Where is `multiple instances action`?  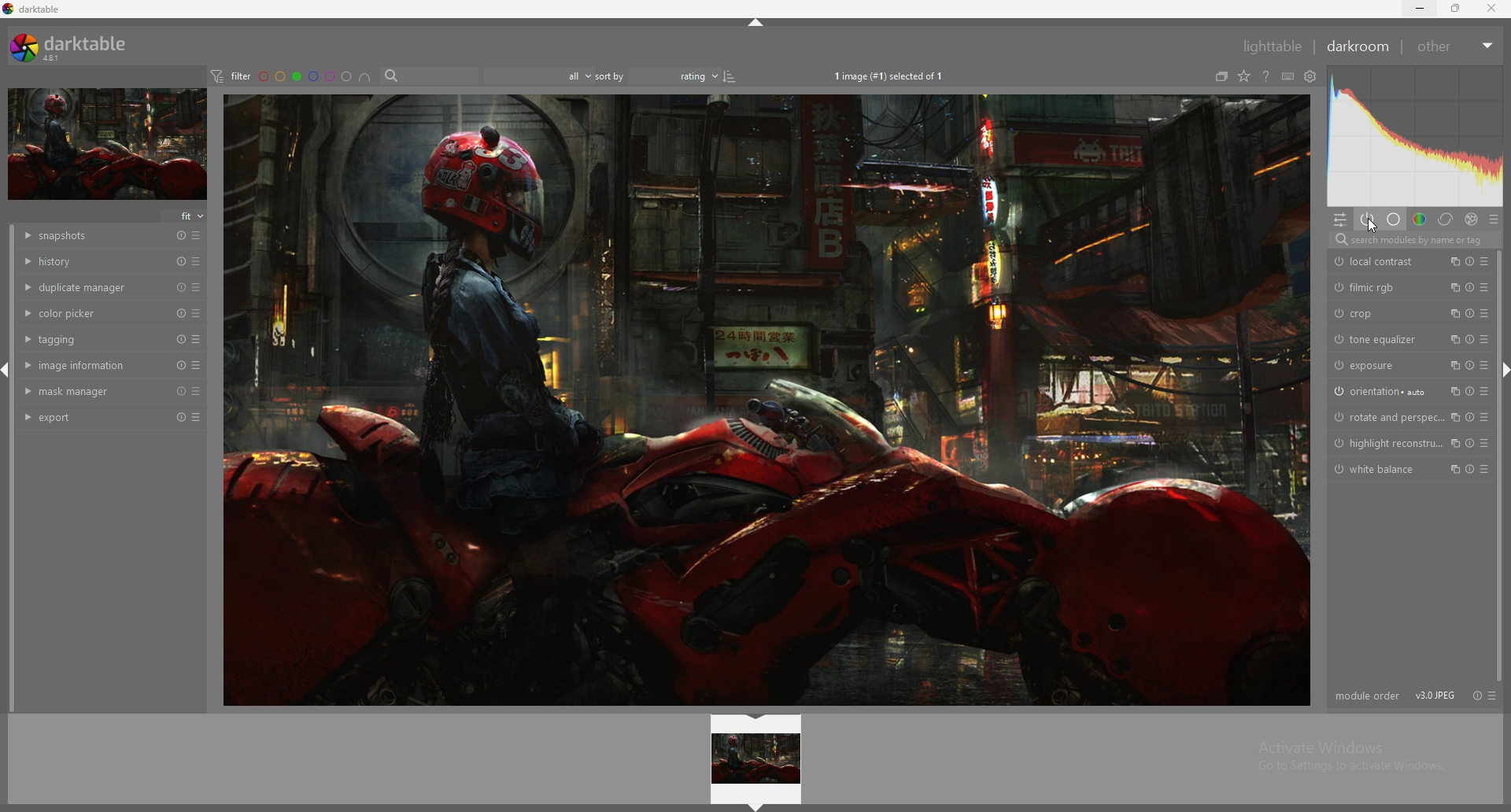 multiple instances action is located at coordinates (1455, 290).